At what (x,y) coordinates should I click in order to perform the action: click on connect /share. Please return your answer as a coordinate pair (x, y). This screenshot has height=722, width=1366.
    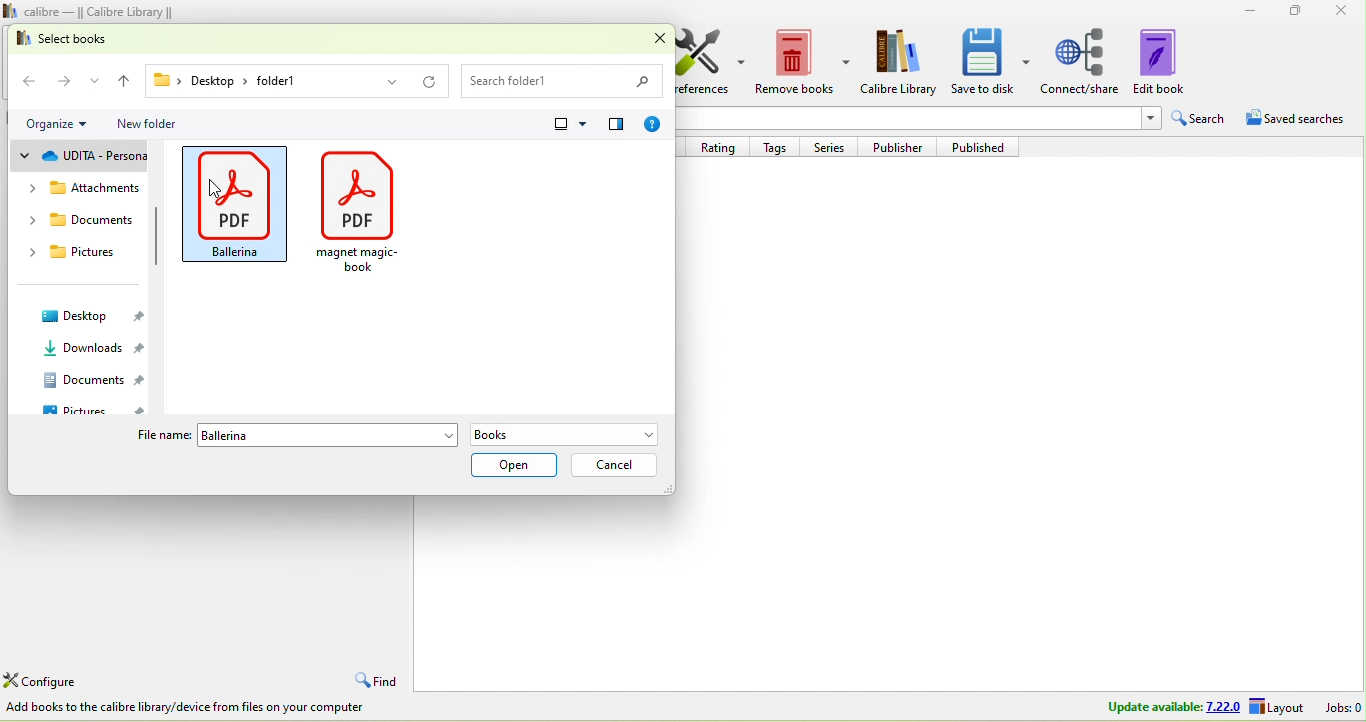
    Looking at the image, I should click on (1081, 62).